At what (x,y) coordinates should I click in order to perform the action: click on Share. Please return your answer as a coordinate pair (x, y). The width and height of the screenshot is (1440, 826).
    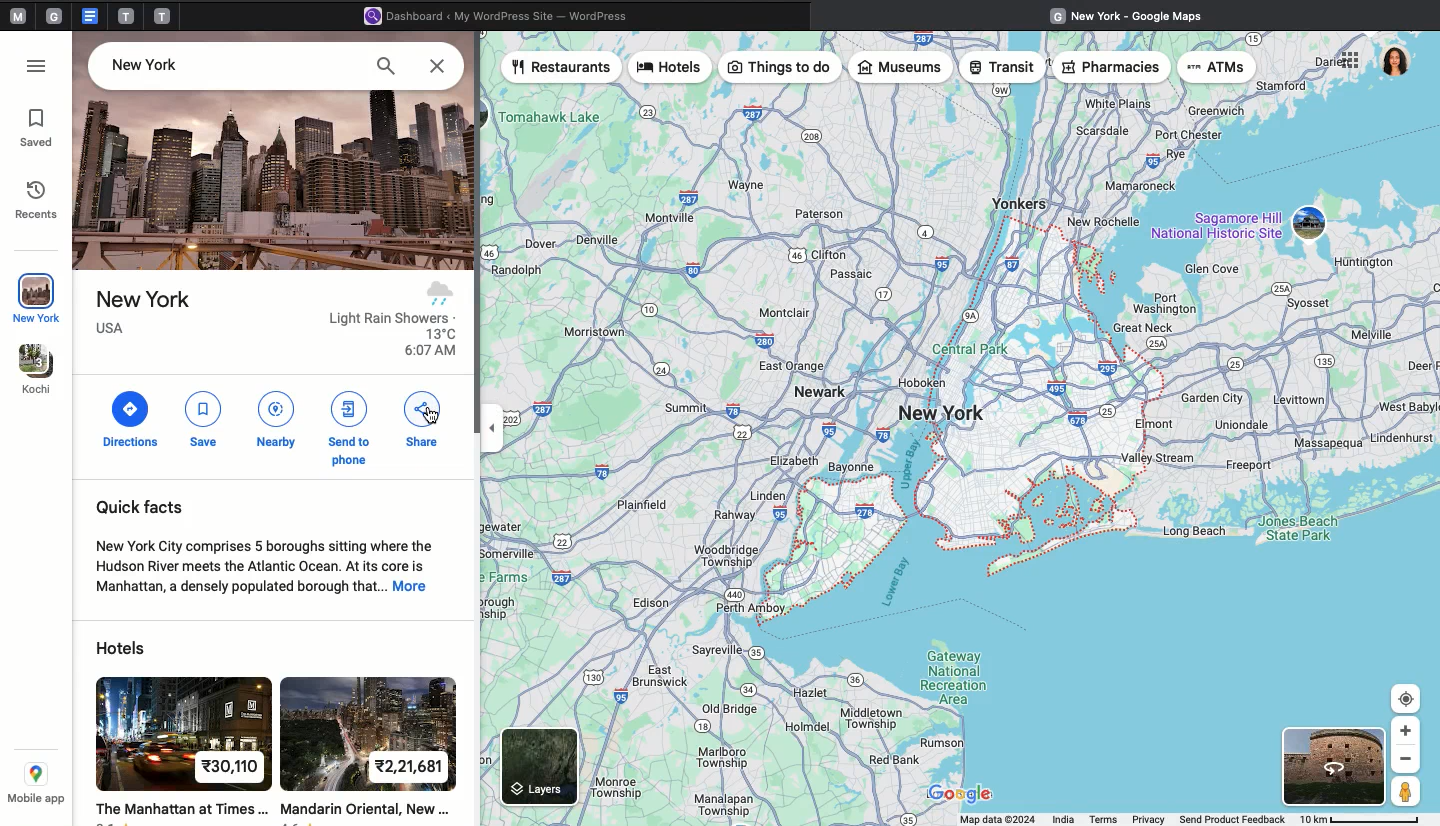
    Looking at the image, I should click on (423, 420).